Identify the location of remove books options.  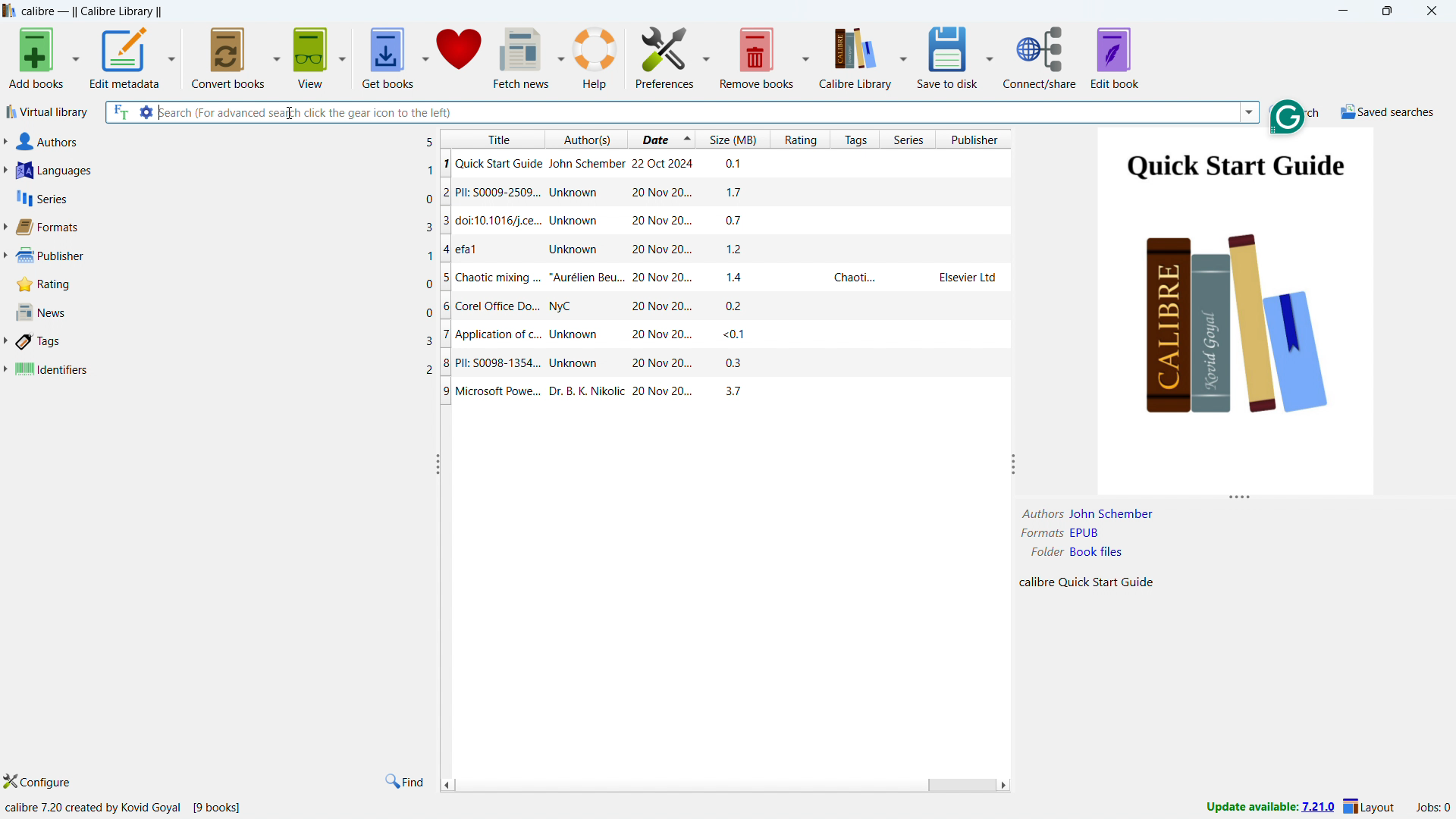
(807, 57).